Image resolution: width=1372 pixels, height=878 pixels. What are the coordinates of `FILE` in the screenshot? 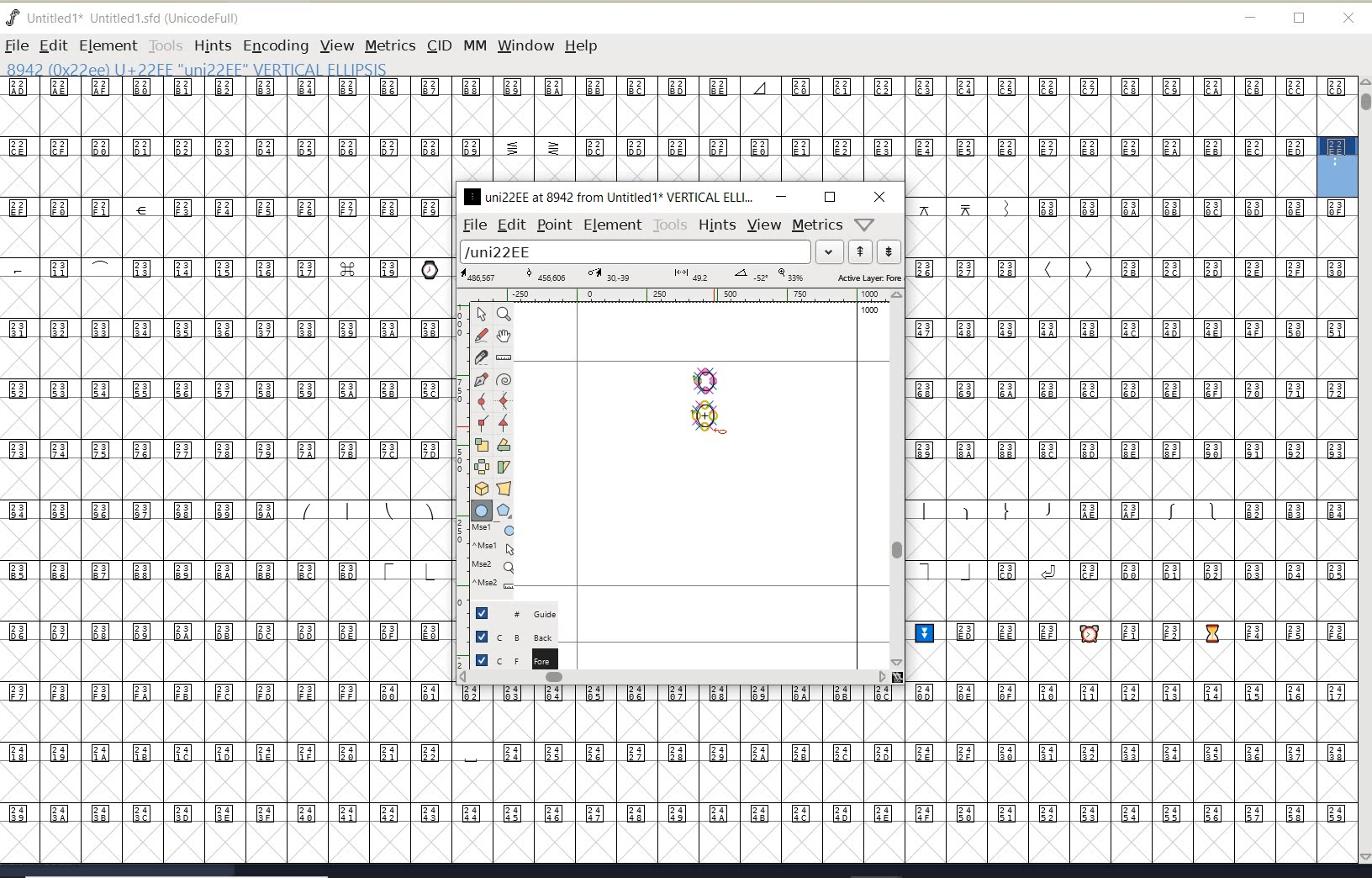 It's located at (16, 45).